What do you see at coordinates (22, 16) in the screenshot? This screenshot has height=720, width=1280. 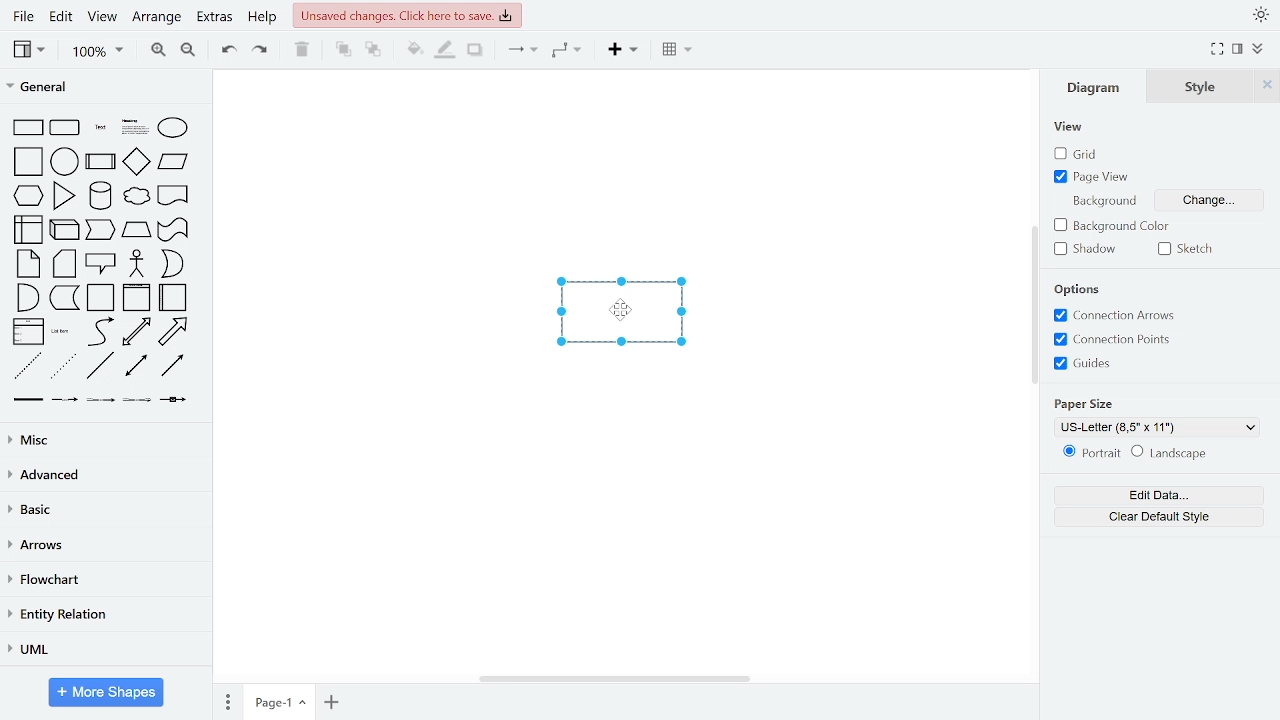 I see `file` at bounding box center [22, 16].